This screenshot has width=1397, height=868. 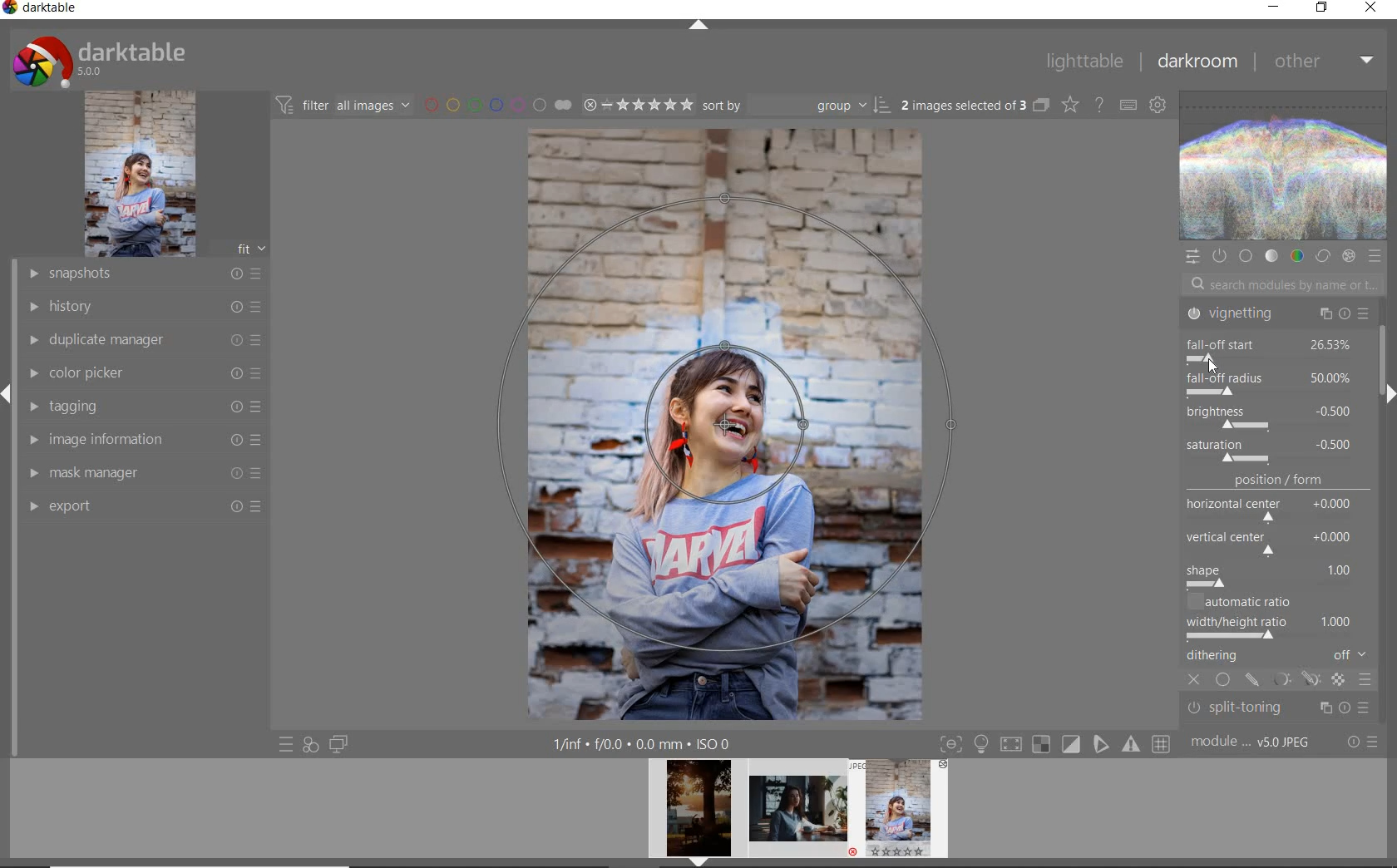 What do you see at coordinates (1128, 105) in the screenshot?
I see `DEFINE KEYBOARD SHORTCUTS` at bounding box center [1128, 105].